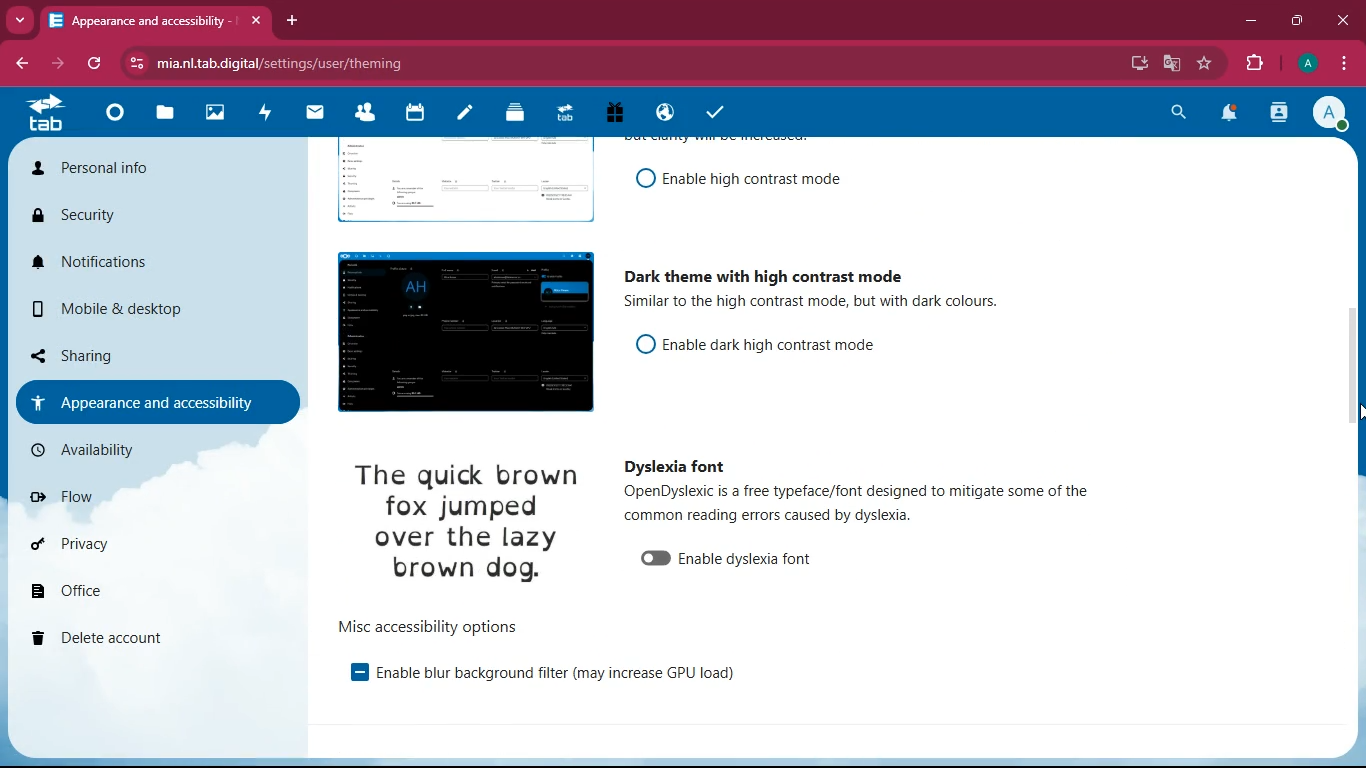  Describe the element at coordinates (54, 65) in the screenshot. I see `forward` at that location.